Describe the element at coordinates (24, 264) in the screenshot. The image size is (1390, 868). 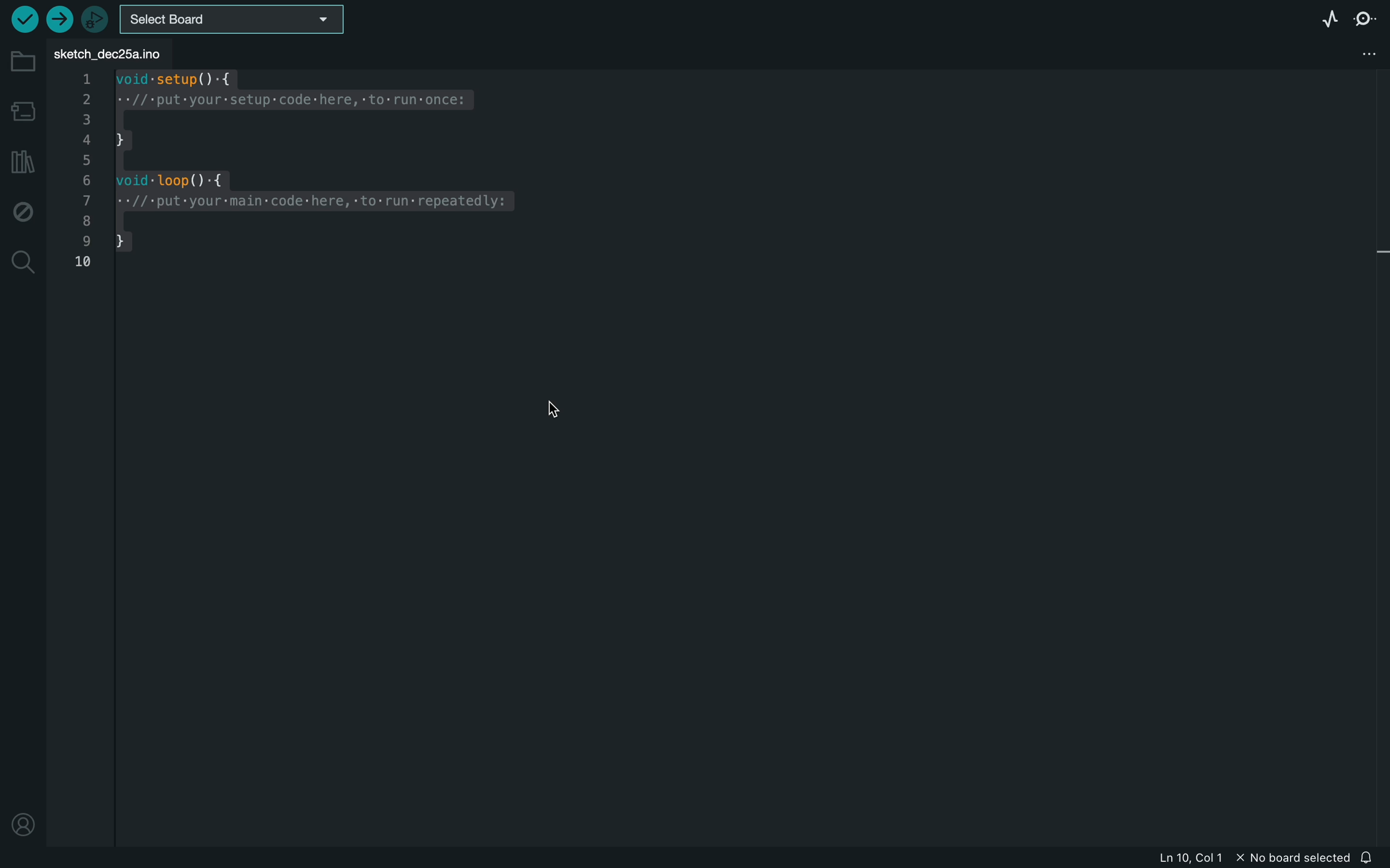
I see `search` at that location.